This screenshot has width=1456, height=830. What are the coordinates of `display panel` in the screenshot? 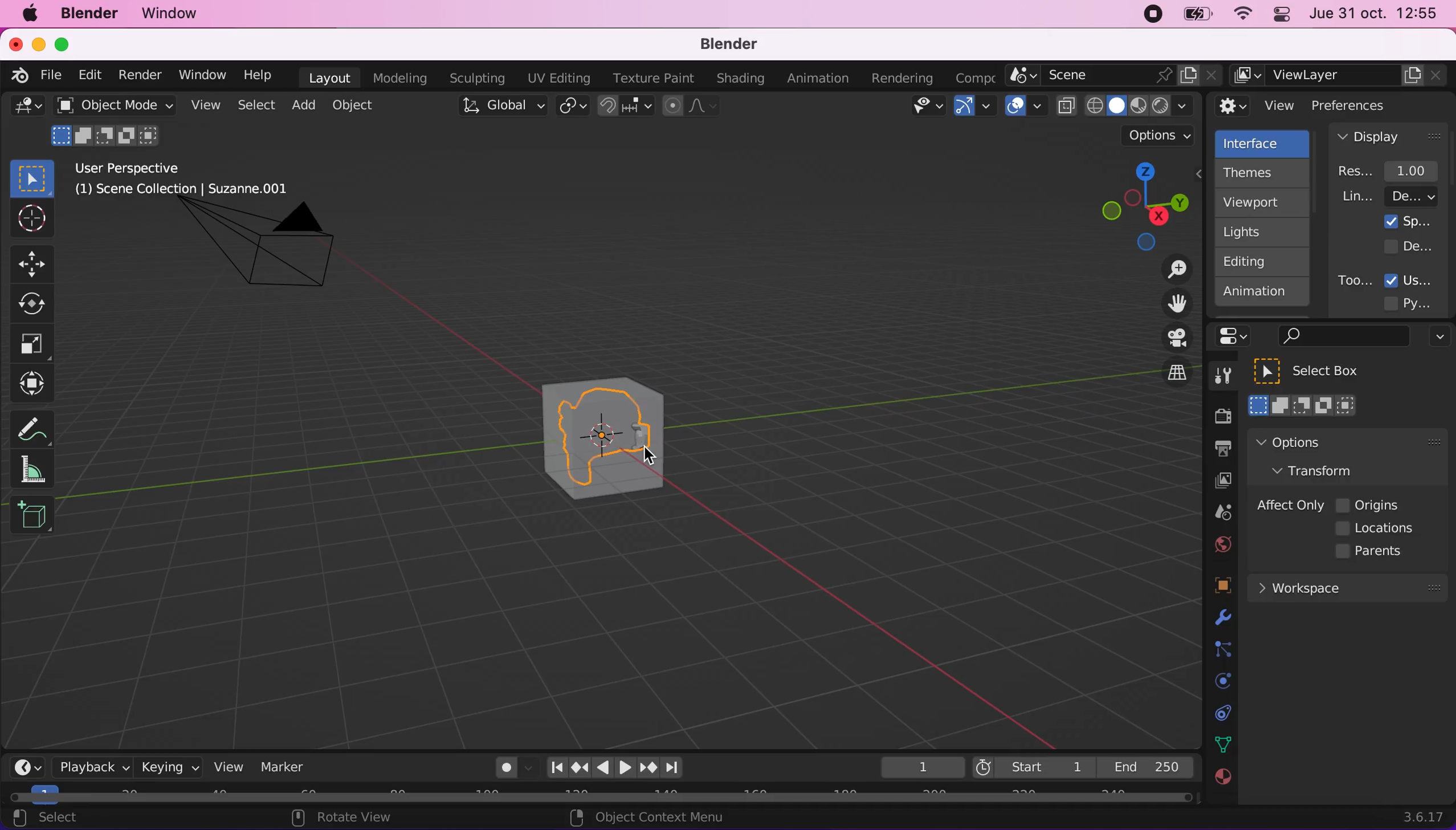 It's located at (1389, 136).